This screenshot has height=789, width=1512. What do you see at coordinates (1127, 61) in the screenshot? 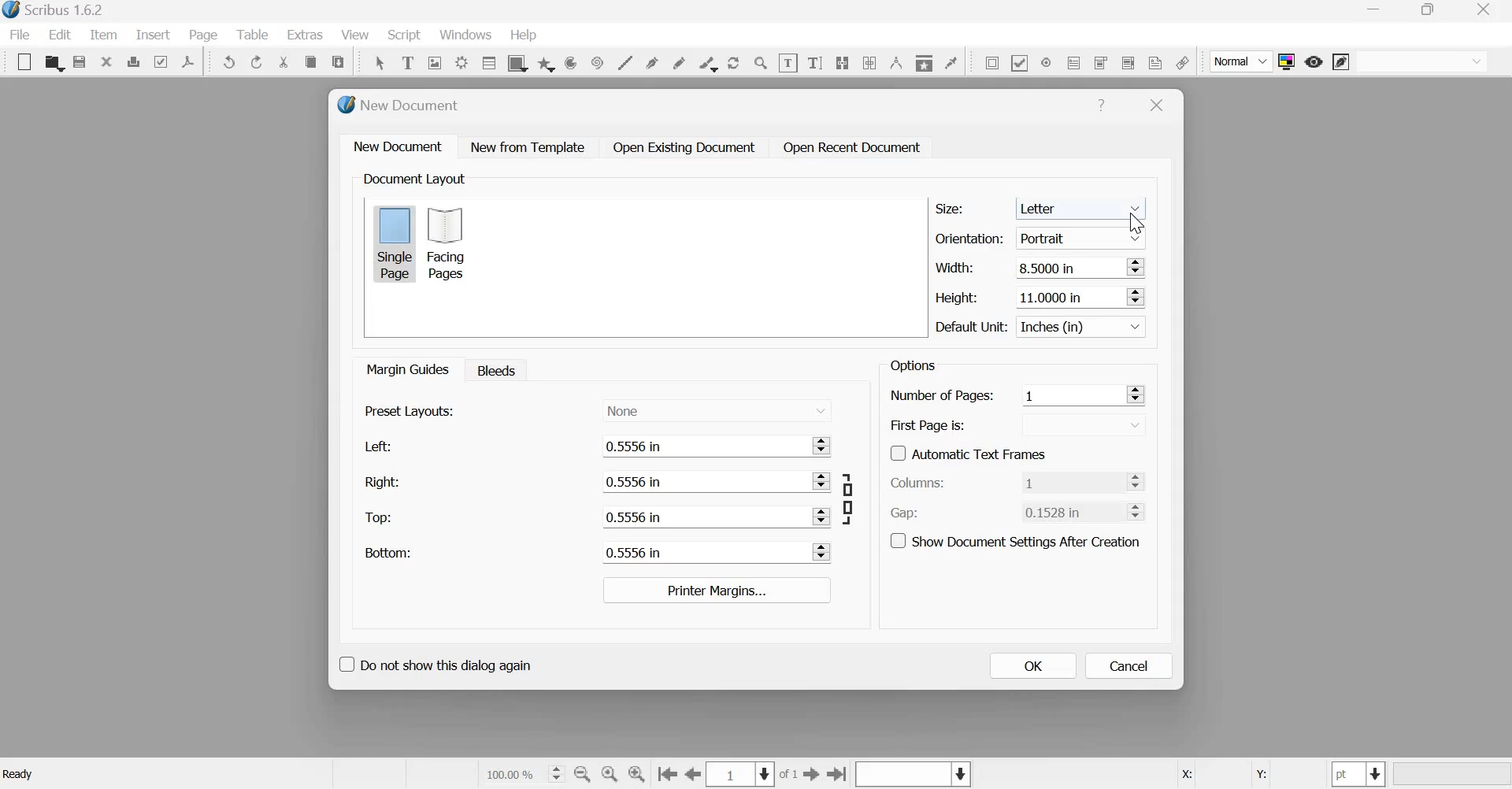
I see `PDF list box` at bounding box center [1127, 61].